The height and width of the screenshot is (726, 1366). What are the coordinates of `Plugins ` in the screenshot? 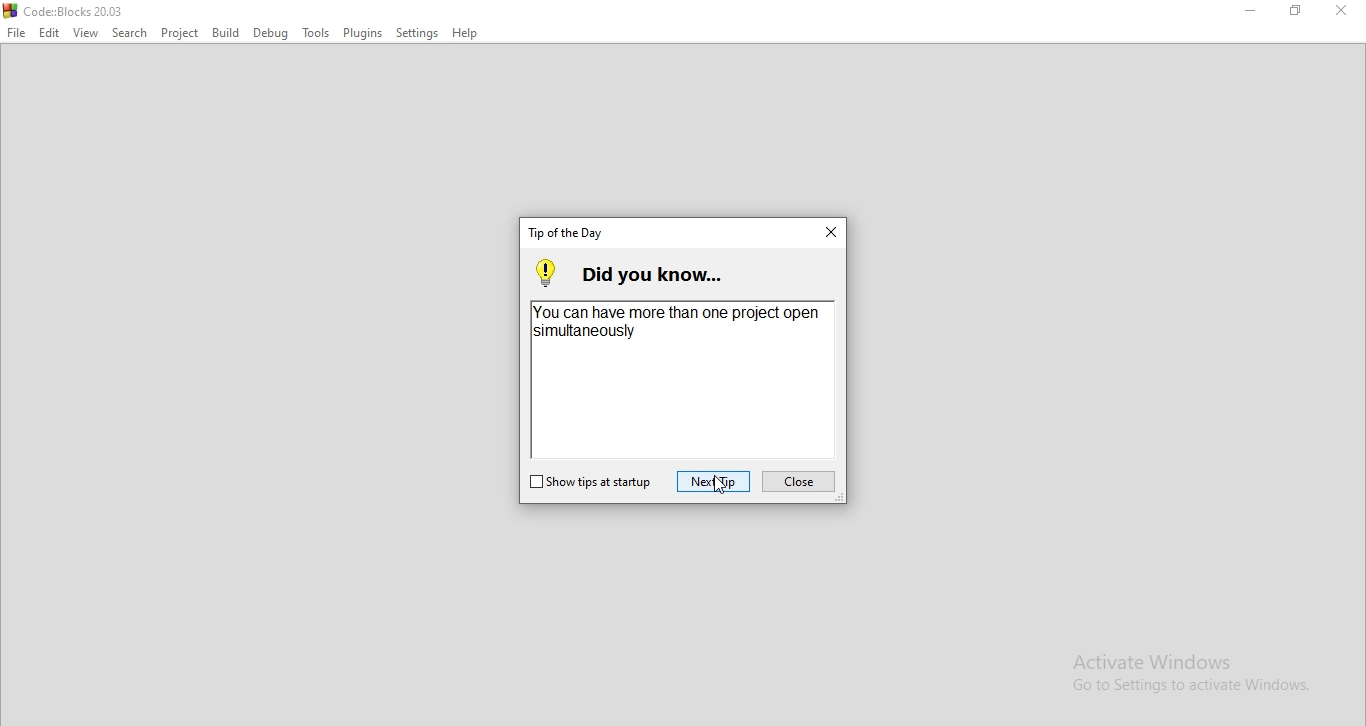 It's located at (362, 35).